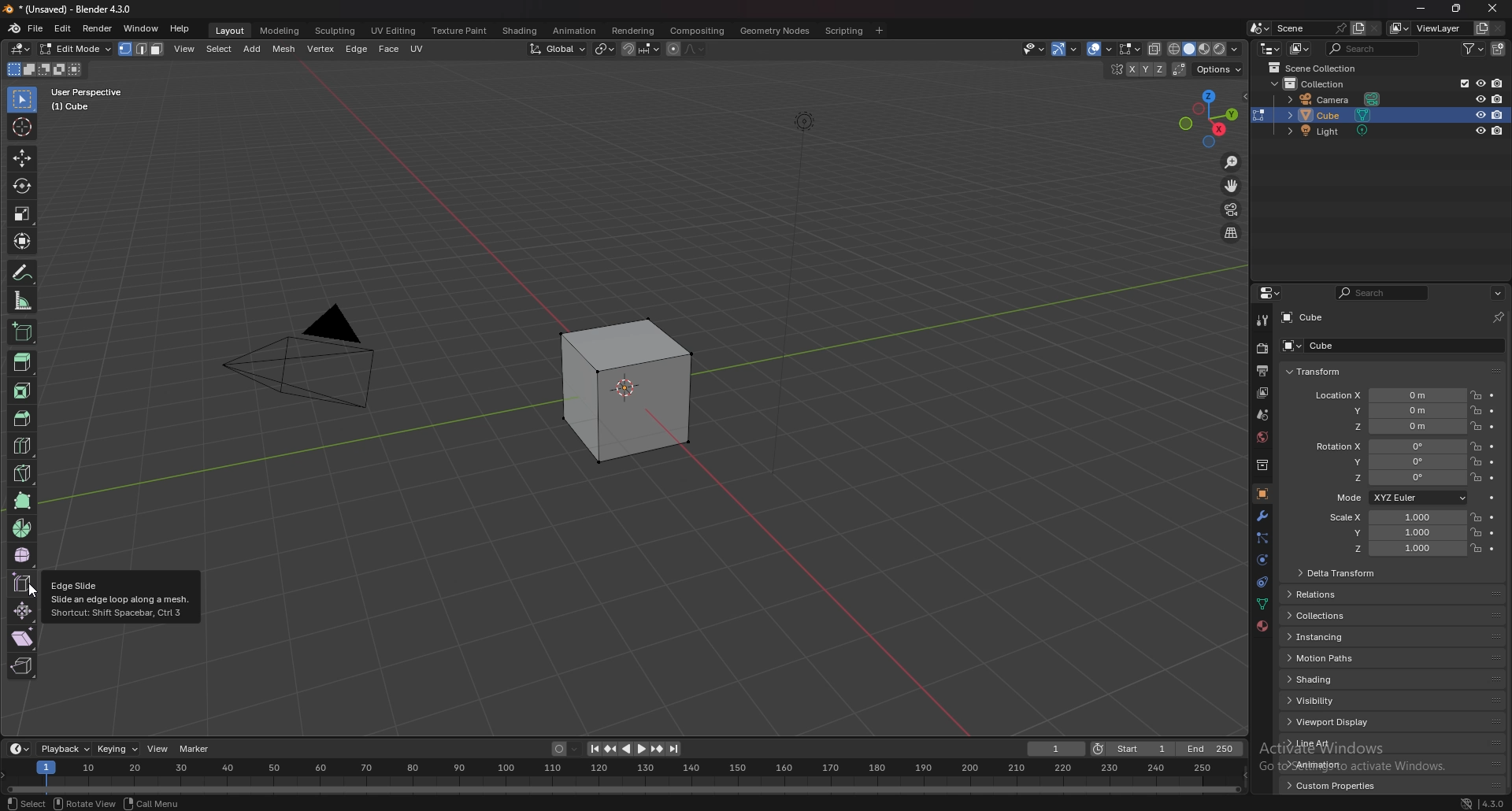  I want to click on lock, so click(1475, 517).